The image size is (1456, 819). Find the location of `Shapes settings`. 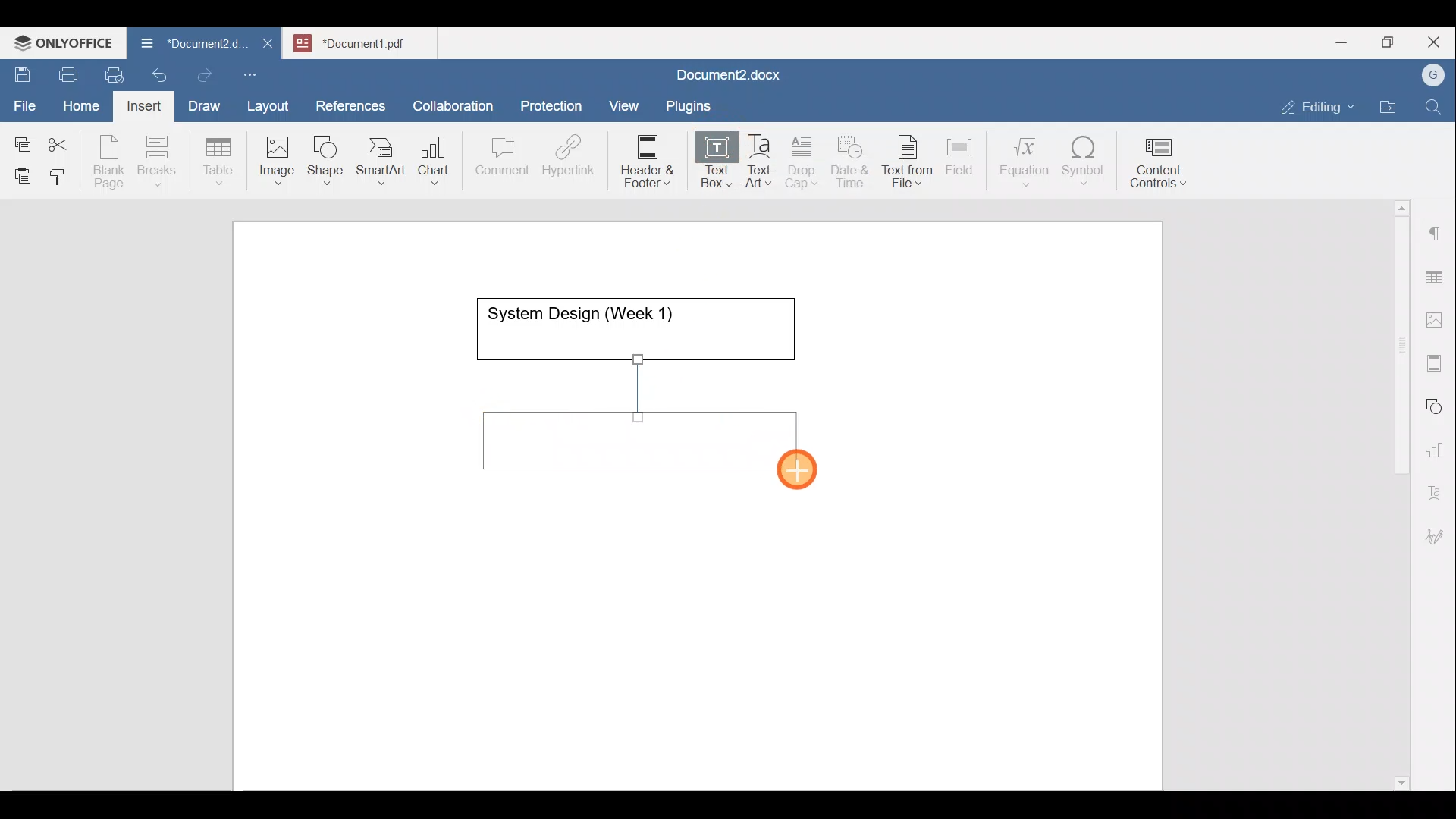

Shapes settings is located at coordinates (1437, 404).